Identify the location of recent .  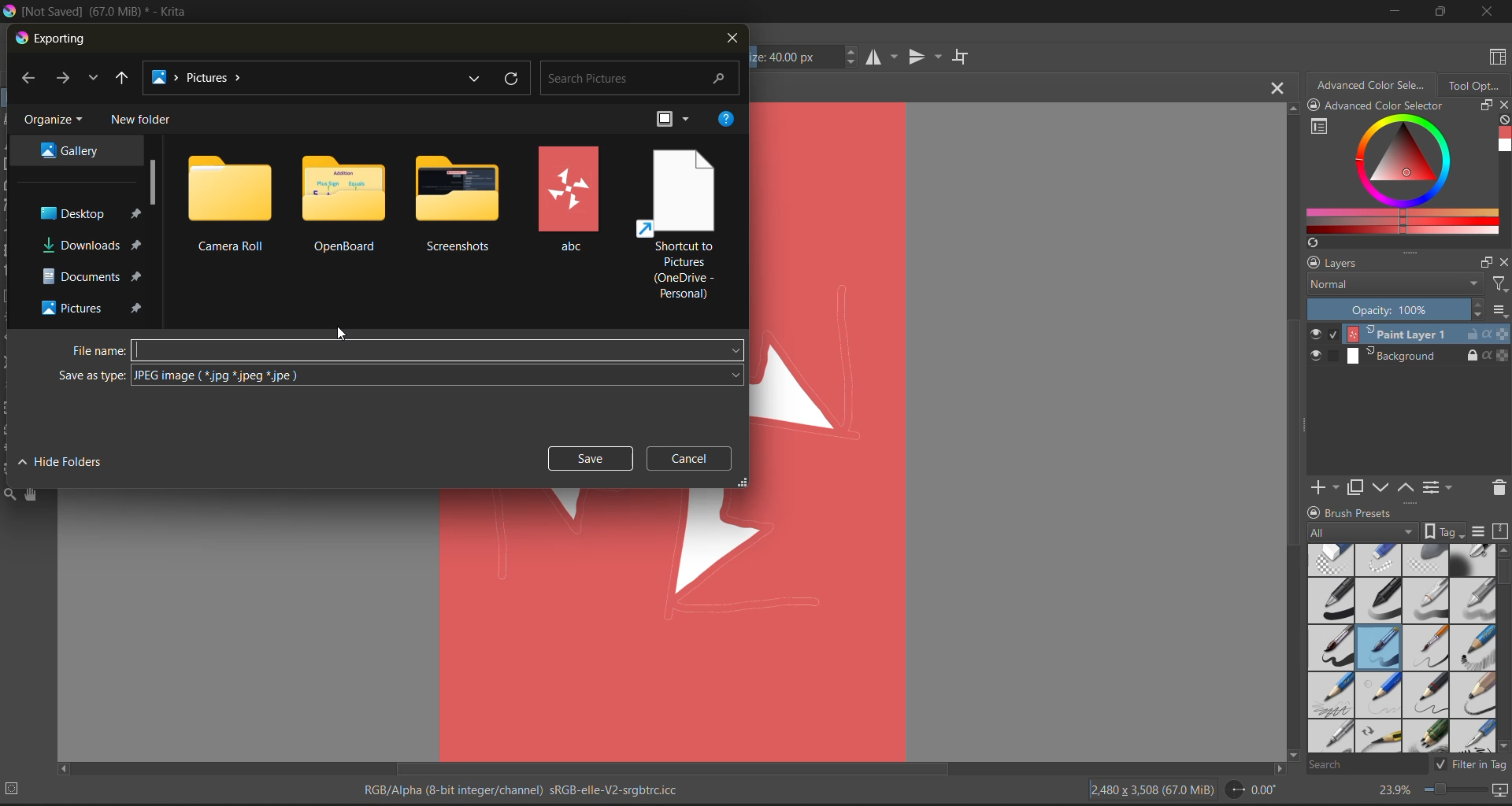
(94, 79).